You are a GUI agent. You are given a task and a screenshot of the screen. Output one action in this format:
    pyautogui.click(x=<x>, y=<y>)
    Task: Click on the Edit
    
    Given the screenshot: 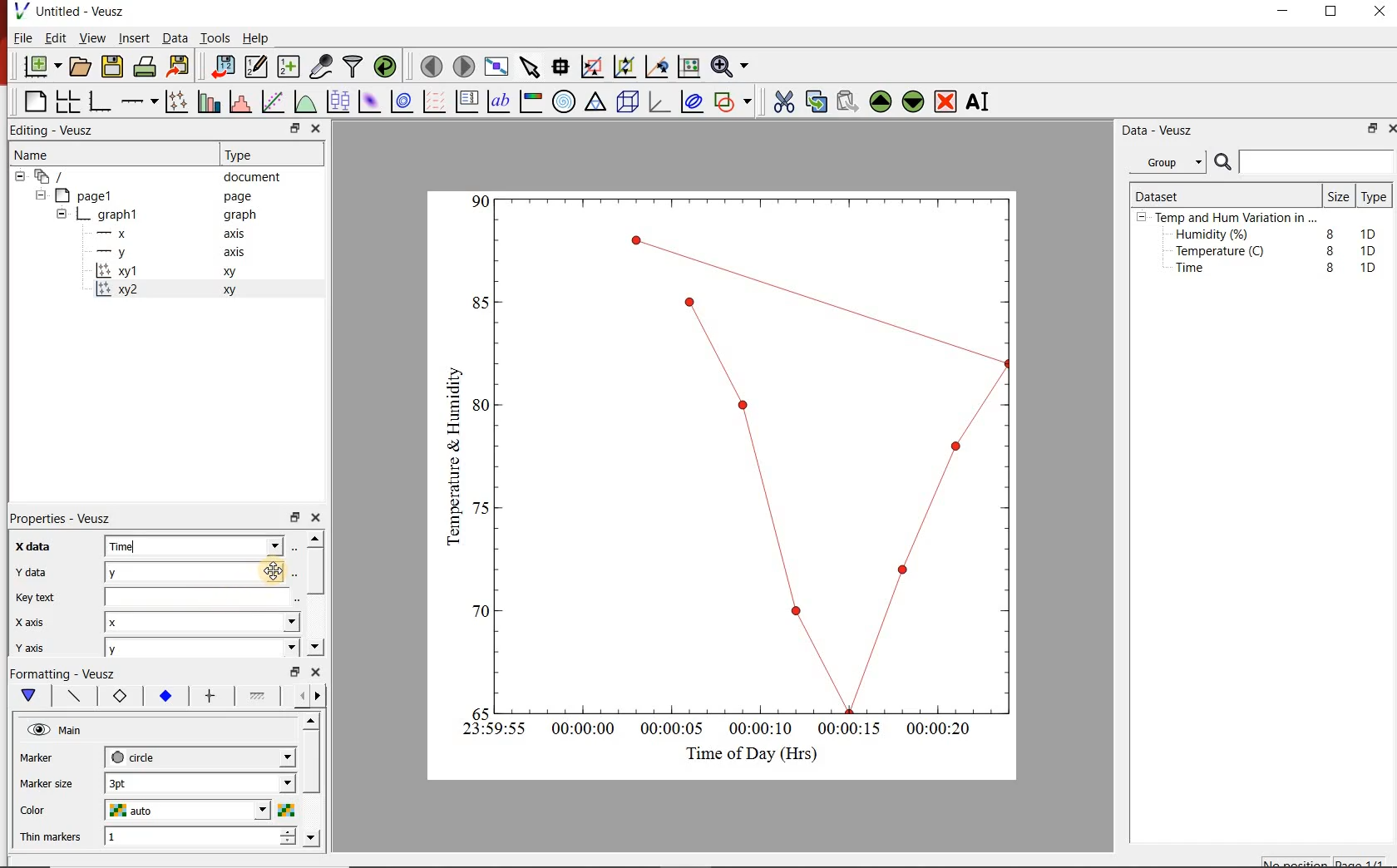 What is the action you would take?
    pyautogui.click(x=56, y=40)
    